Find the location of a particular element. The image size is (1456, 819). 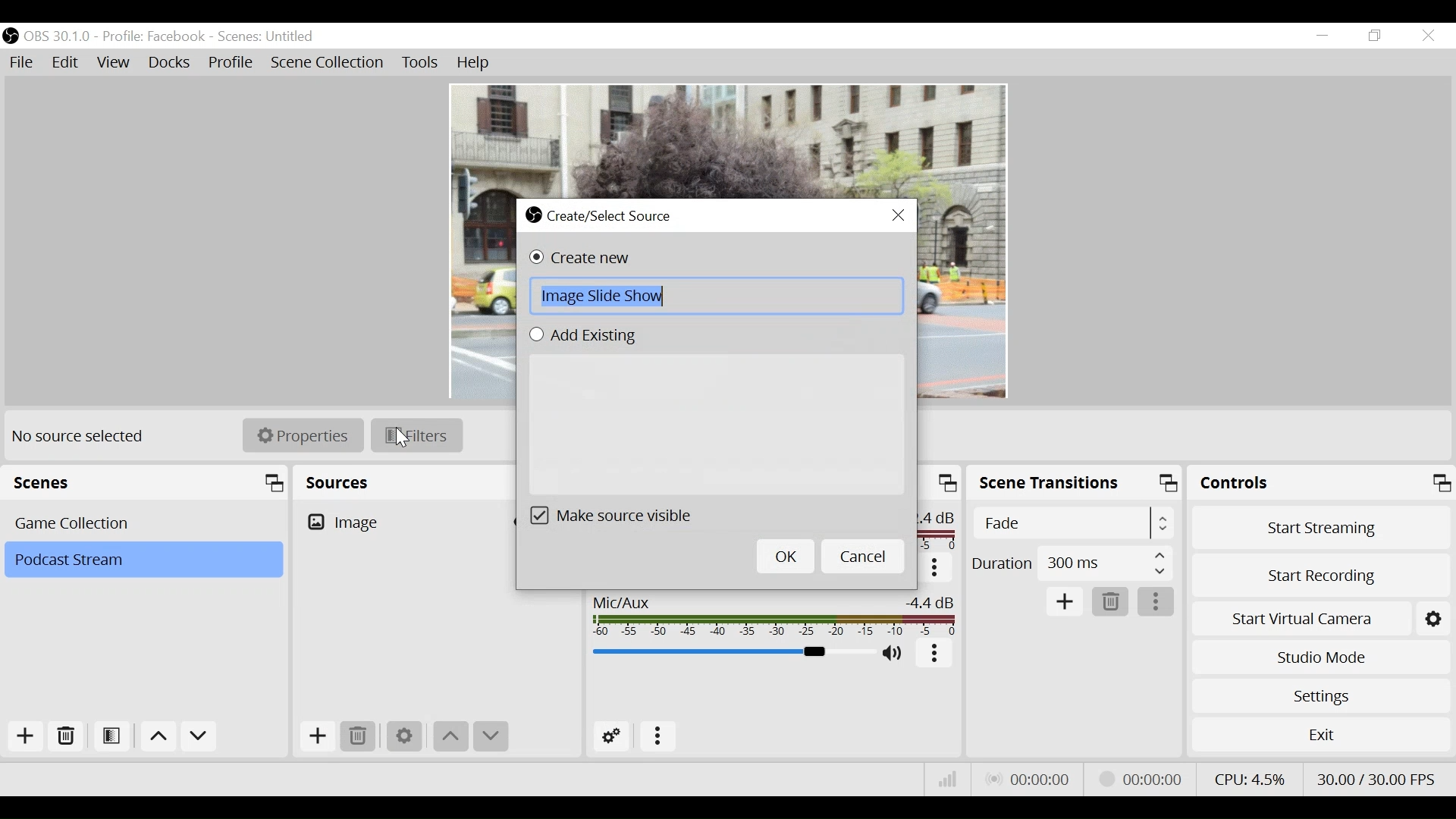

Start Recording is located at coordinates (1323, 571).